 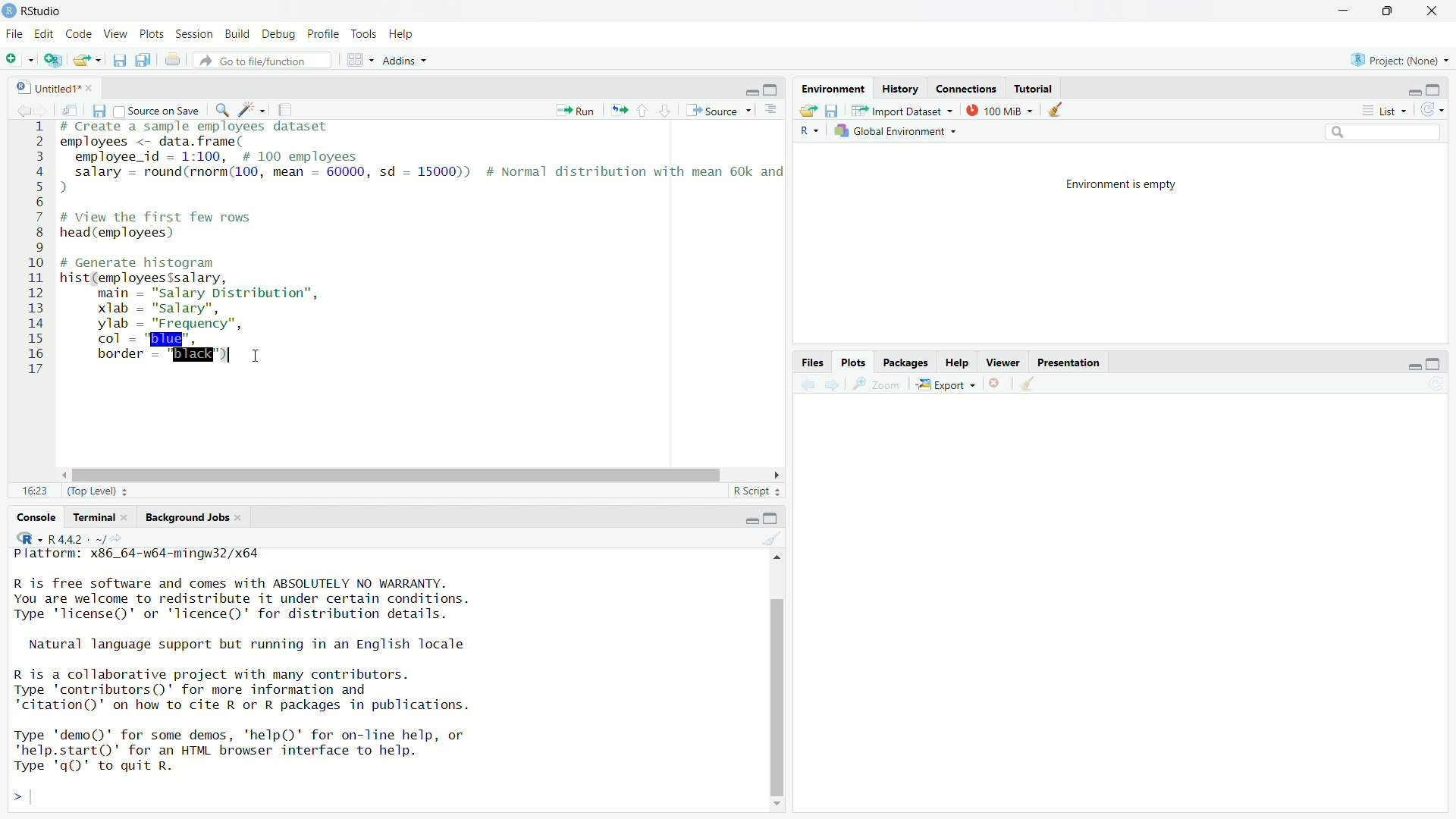 I want to click on down, so click(x=666, y=109).